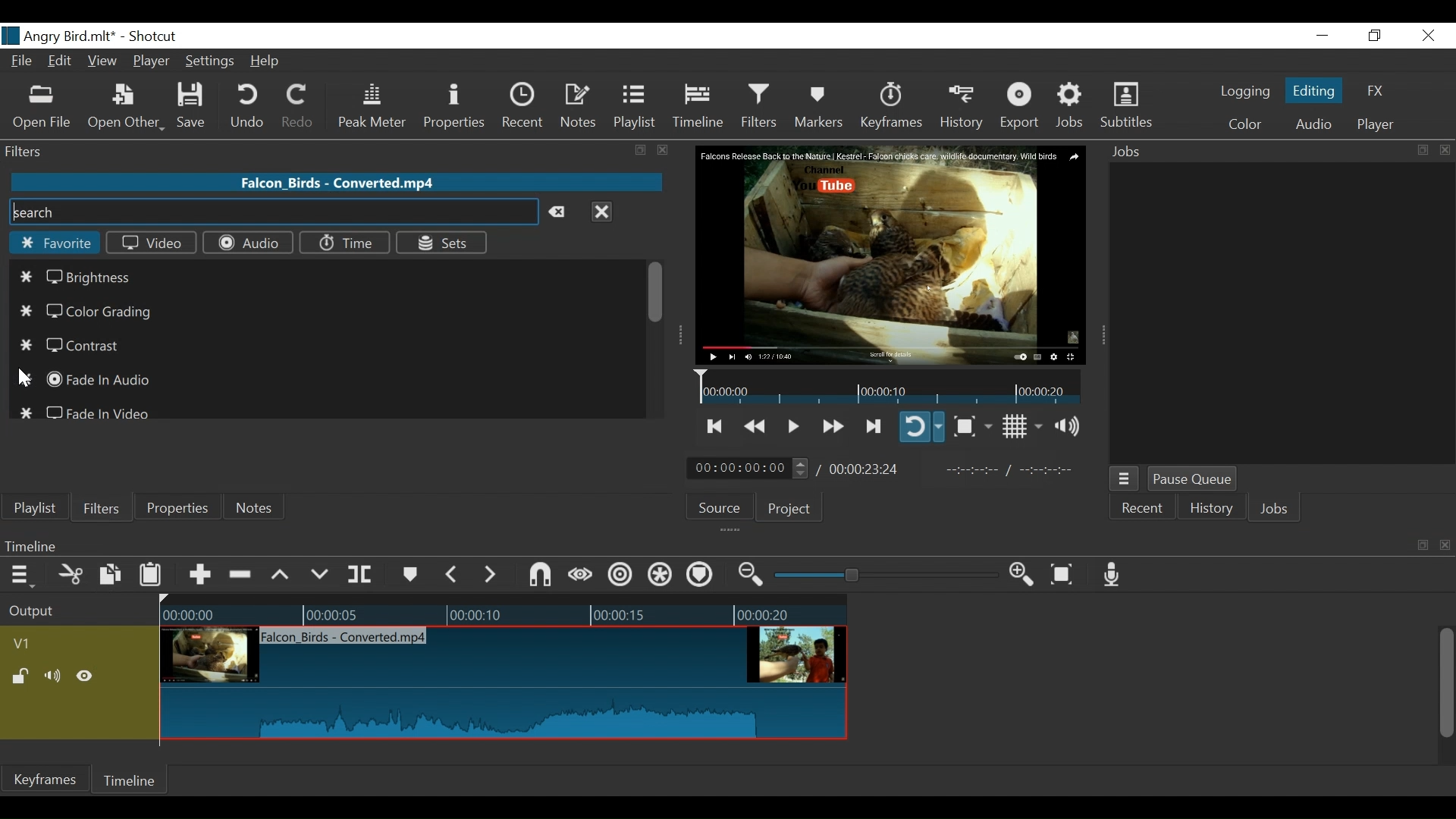  What do you see at coordinates (791, 428) in the screenshot?
I see `Toggle play or pause (Space)` at bounding box center [791, 428].